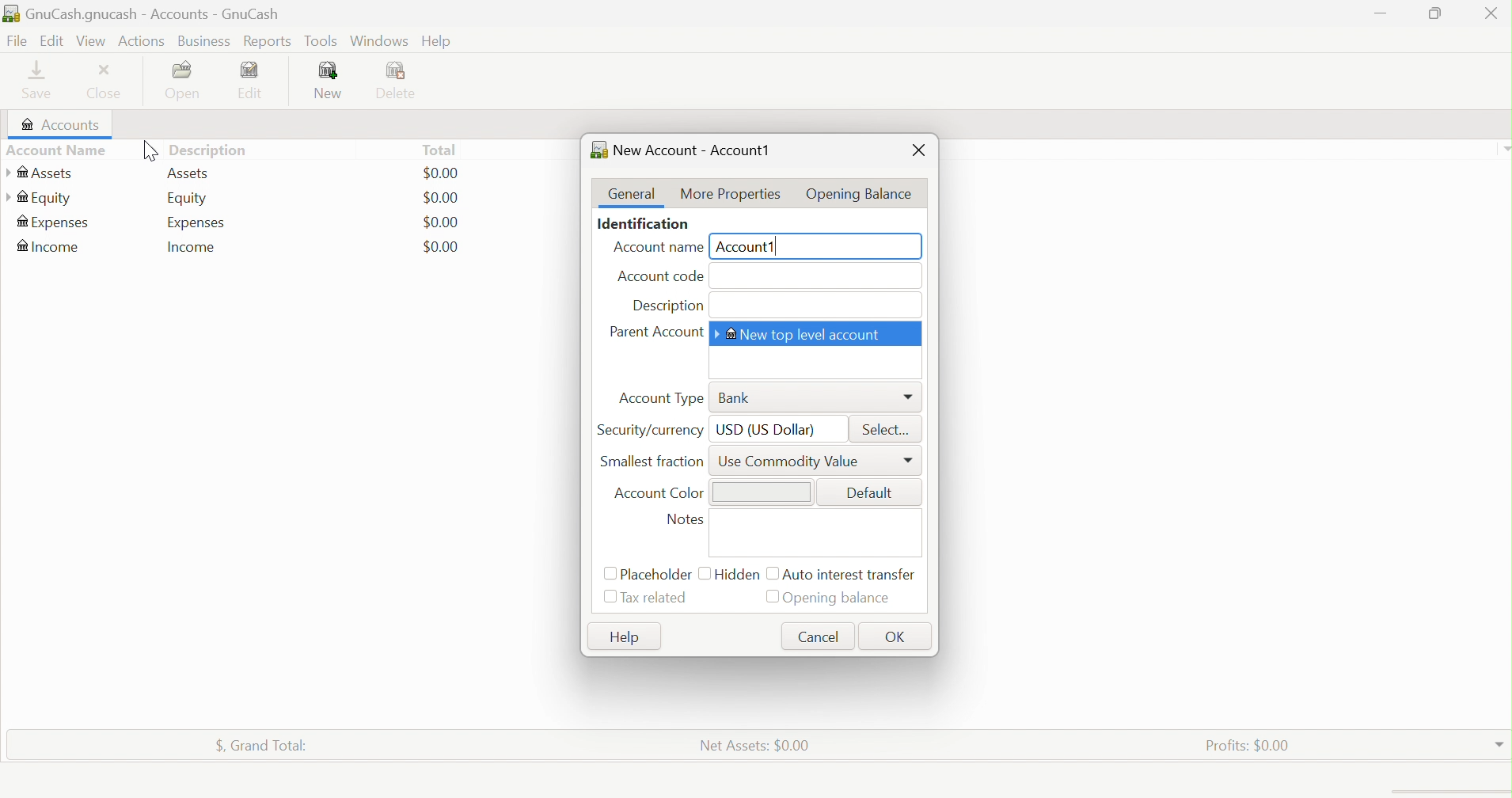 This screenshot has height=798, width=1512. Describe the element at coordinates (872, 492) in the screenshot. I see `Default` at that location.